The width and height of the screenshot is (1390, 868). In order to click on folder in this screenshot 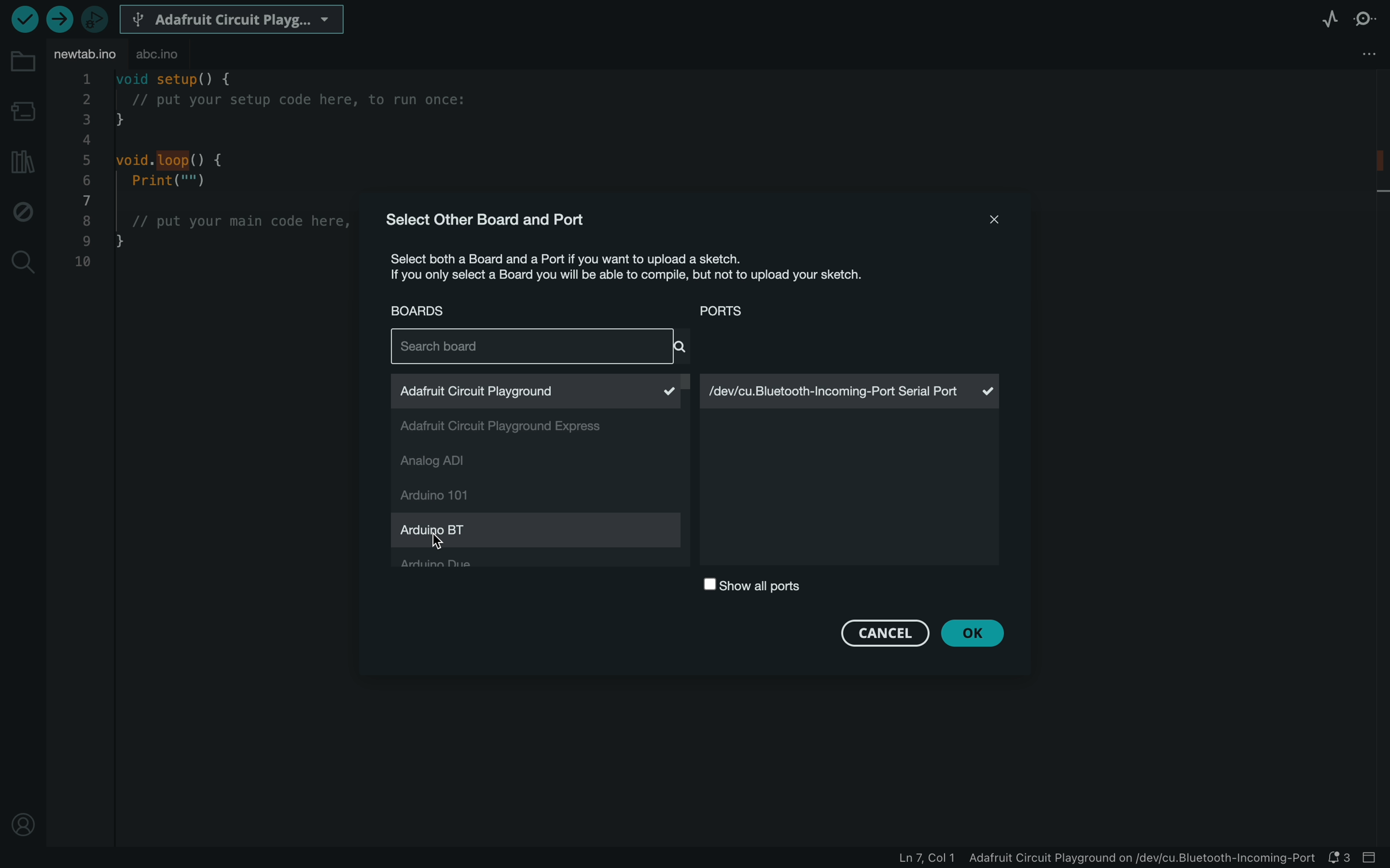, I will do `click(25, 61)`.